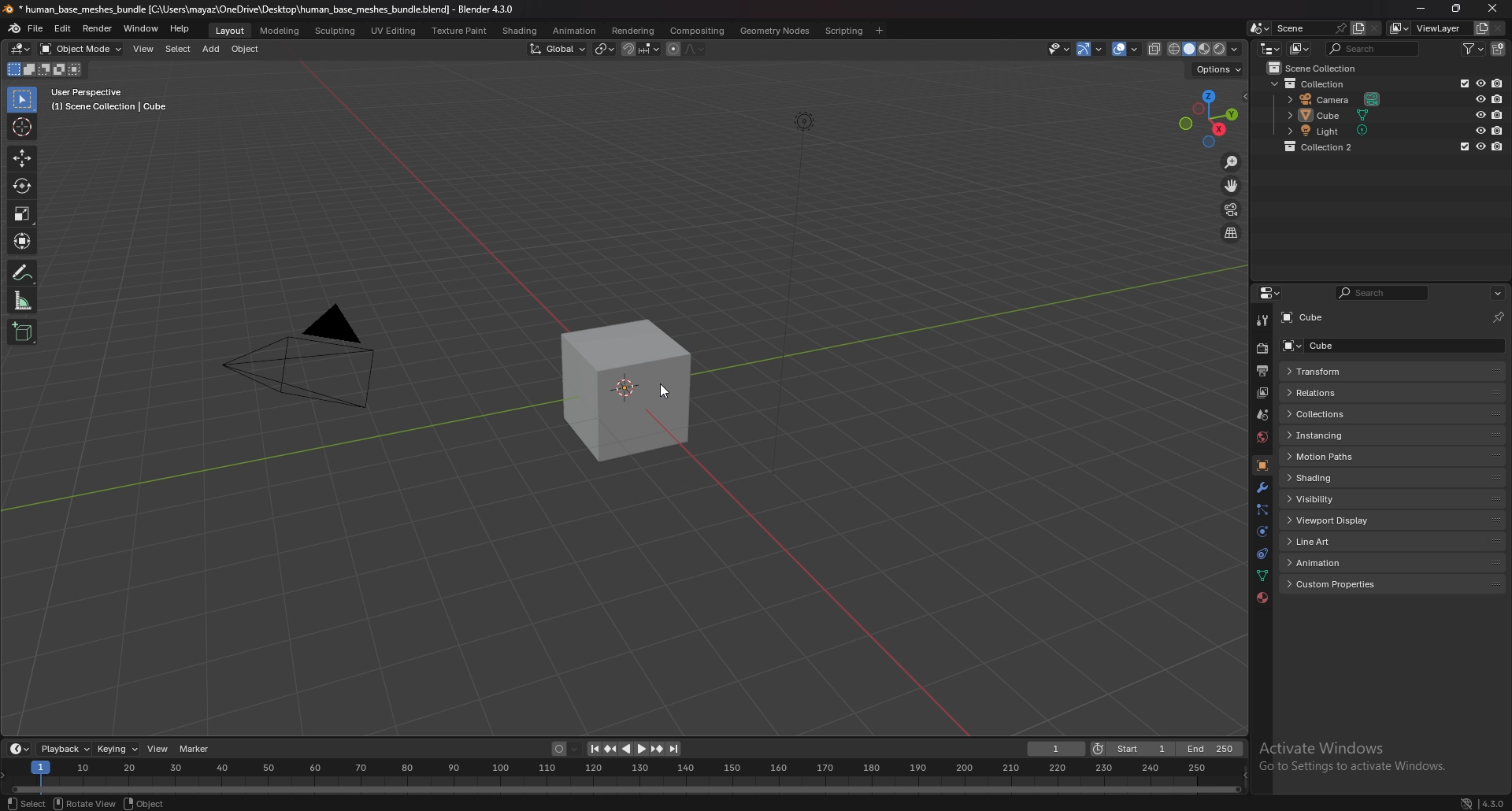  Describe the element at coordinates (1231, 234) in the screenshot. I see `switch view from perspective/orthographic` at that location.